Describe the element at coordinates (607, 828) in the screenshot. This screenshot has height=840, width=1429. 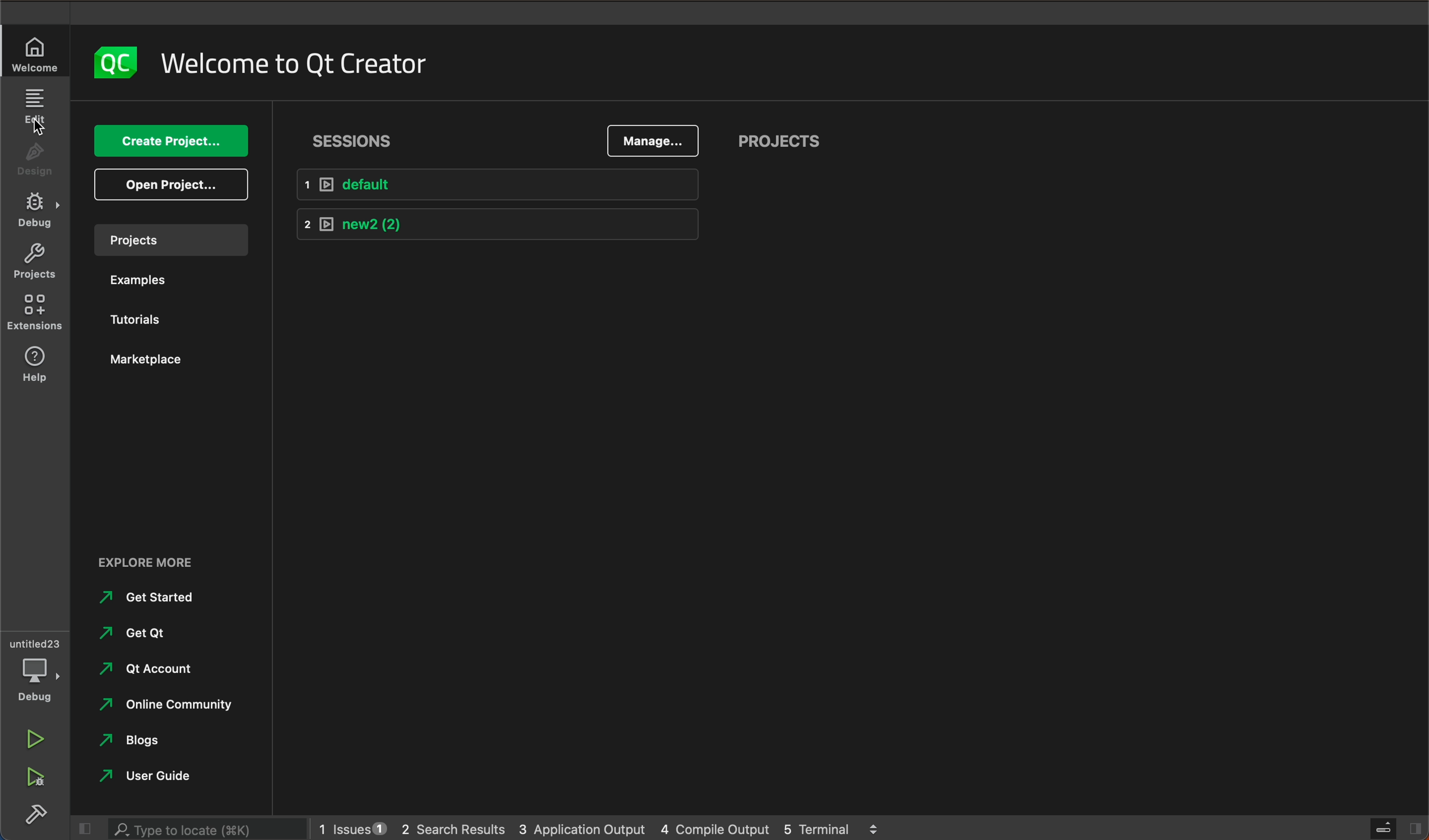
I see `logs` at that location.